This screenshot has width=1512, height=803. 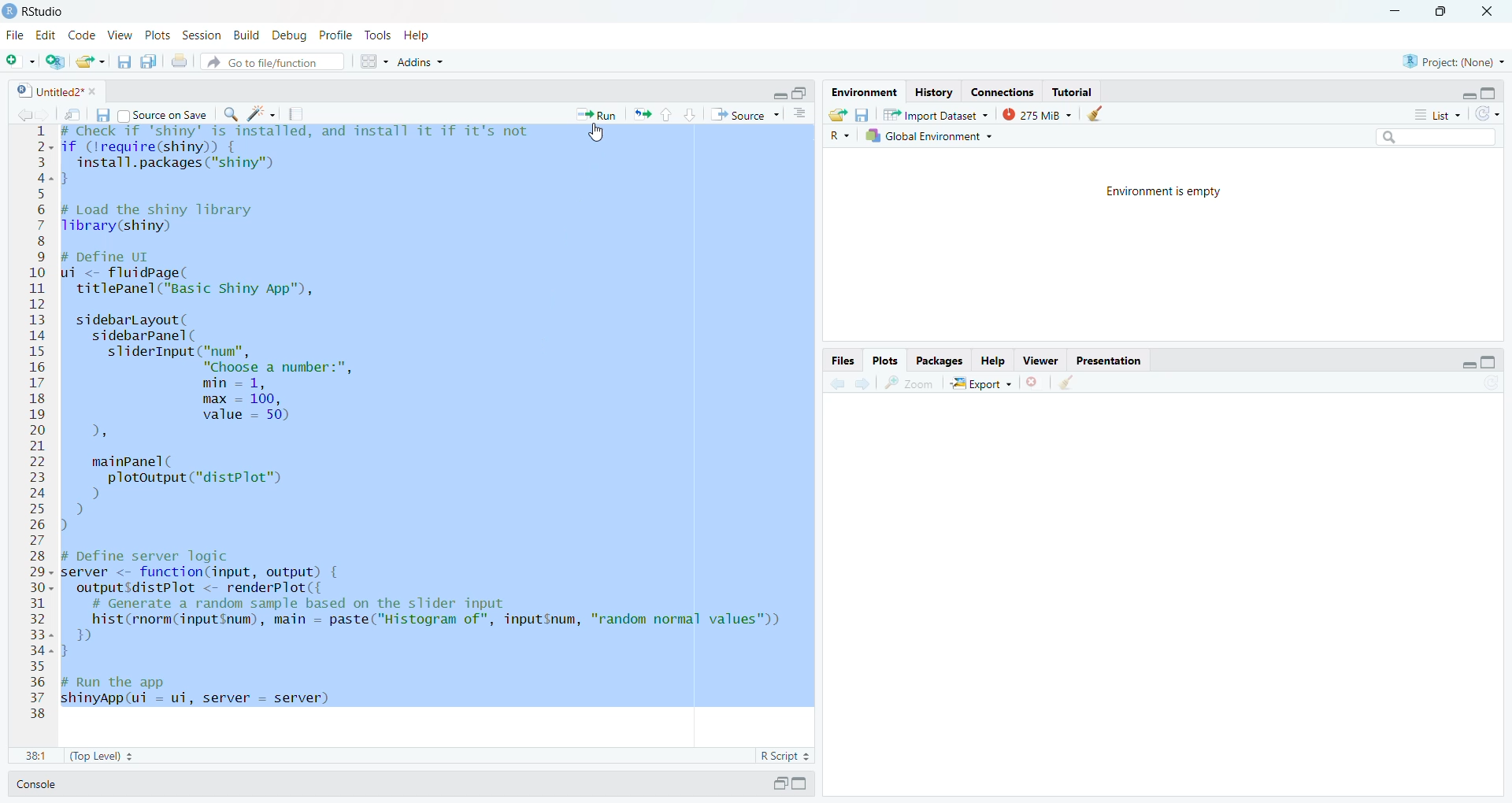 What do you see at coordinates (422, 603) in the screenshot?
I see `# Define server logicserver <- function(input, output) {outputSdistPlot <- renderPlot({# Generate a random sample based on the slider inputhist(rnorm(input$num), main = paste("Histogram of", inputSnum, "random normal values"))}` at bounding box center [422, 603].